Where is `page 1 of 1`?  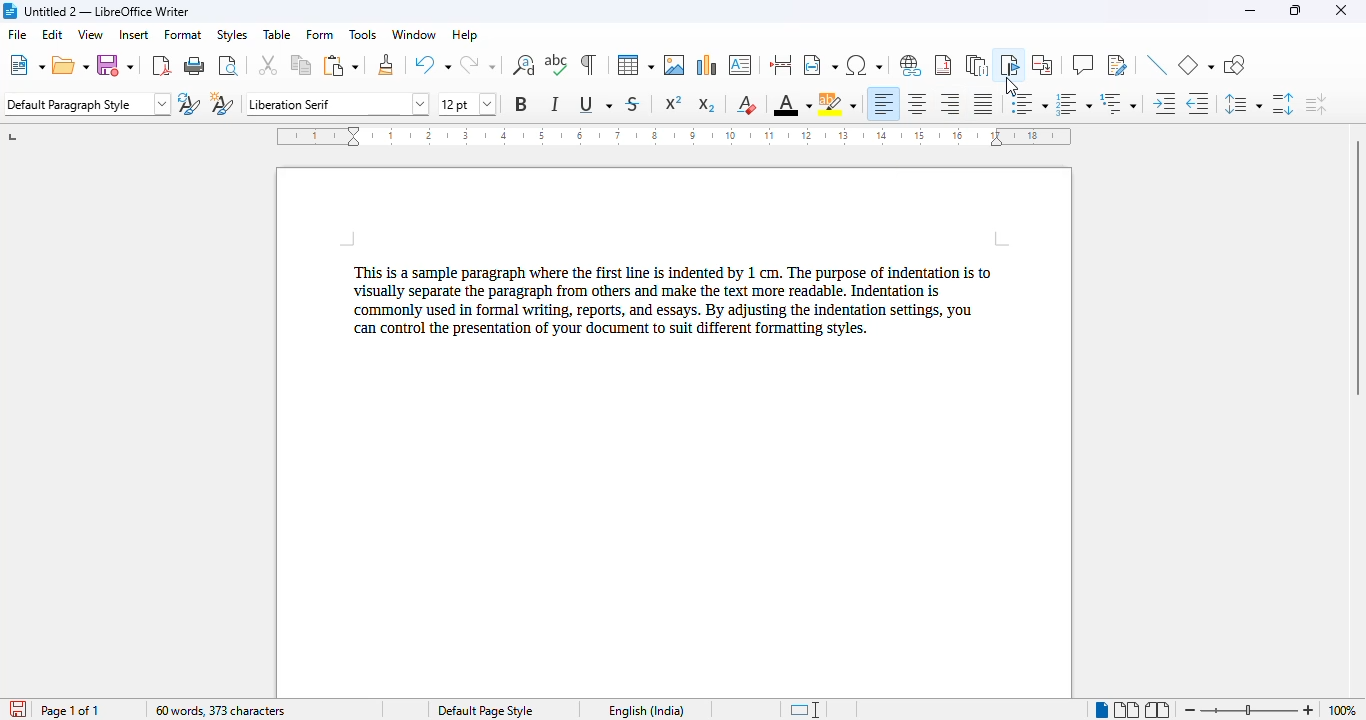 page 1 of 1 is located at coordinates (70, 710).